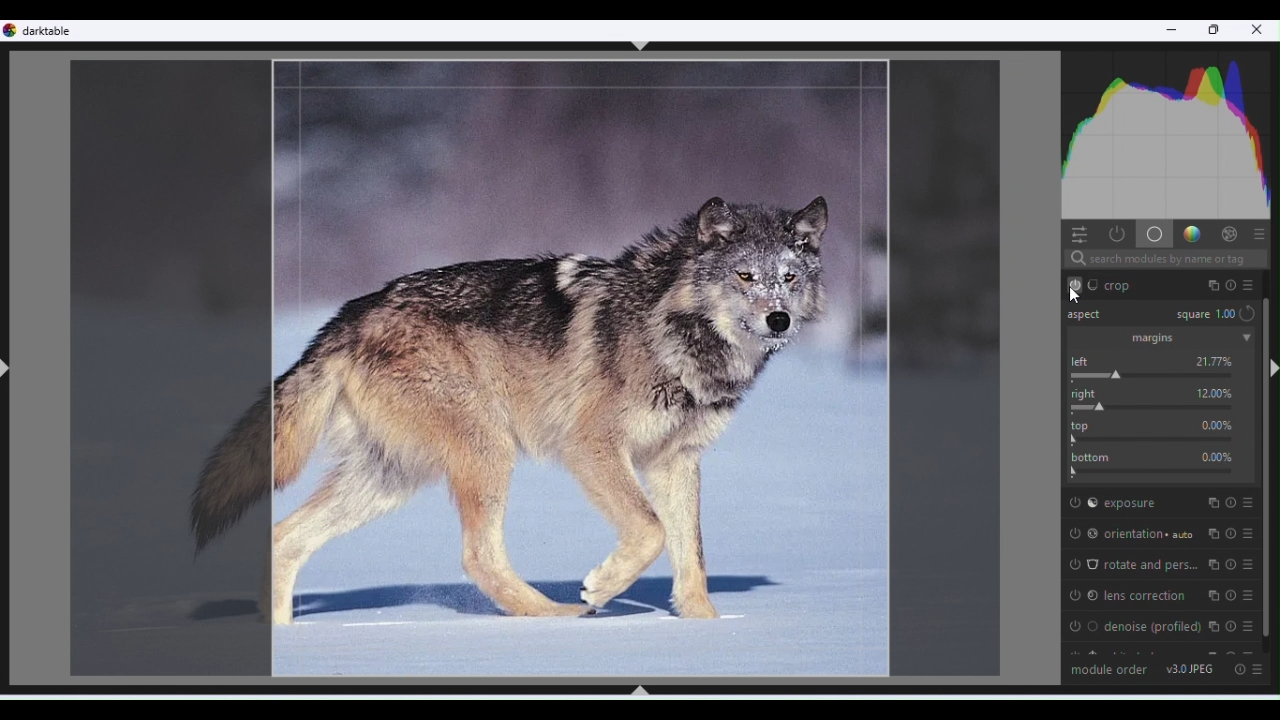 The image size is (1280, 720). I want to click on Preset, so click(1261, 670).